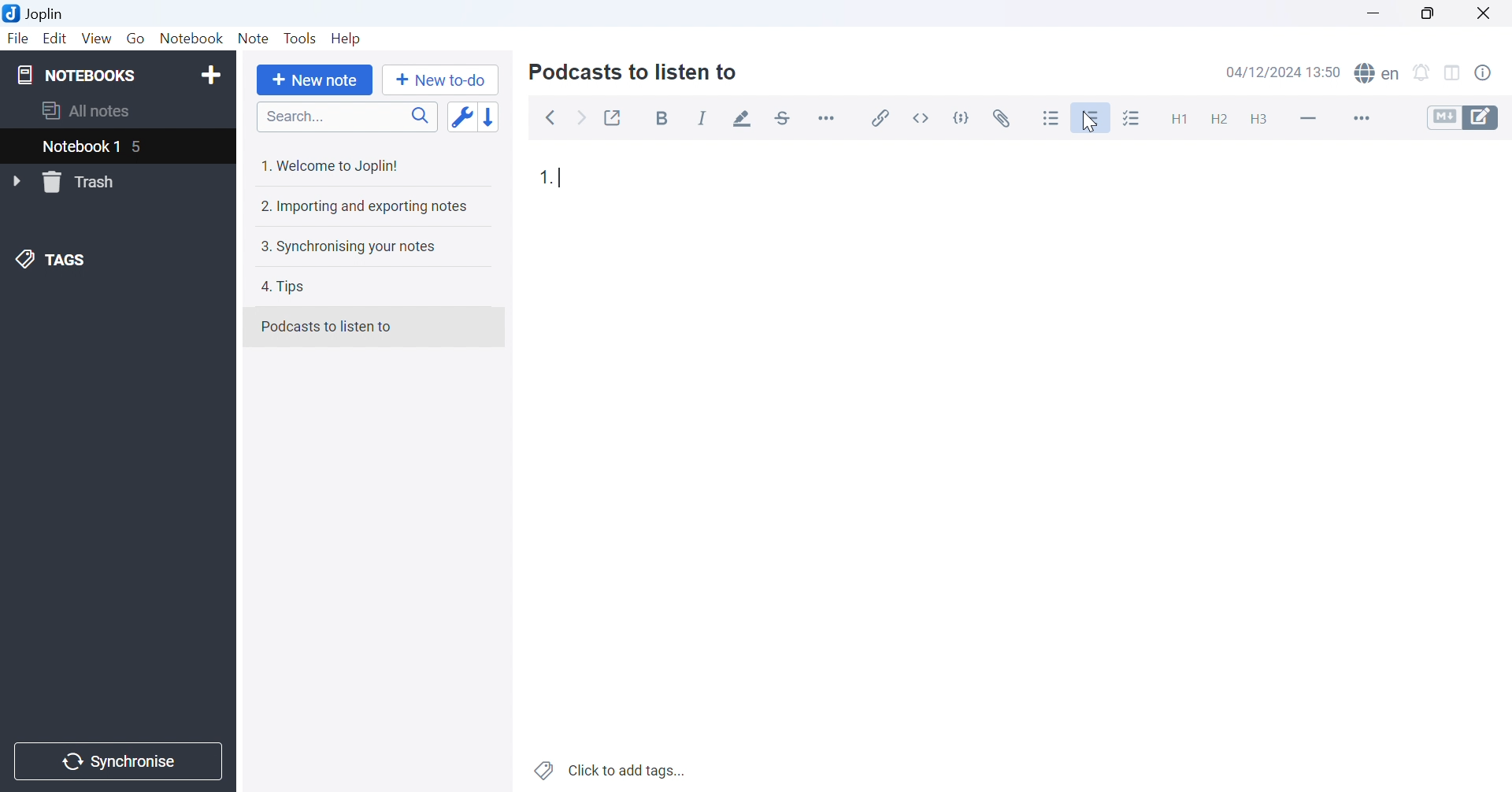 This screenshot has width=1512, height=792. Describe the element at coordinates (881, 114) in the screenshot. I see `Insert / edit code` at that location.